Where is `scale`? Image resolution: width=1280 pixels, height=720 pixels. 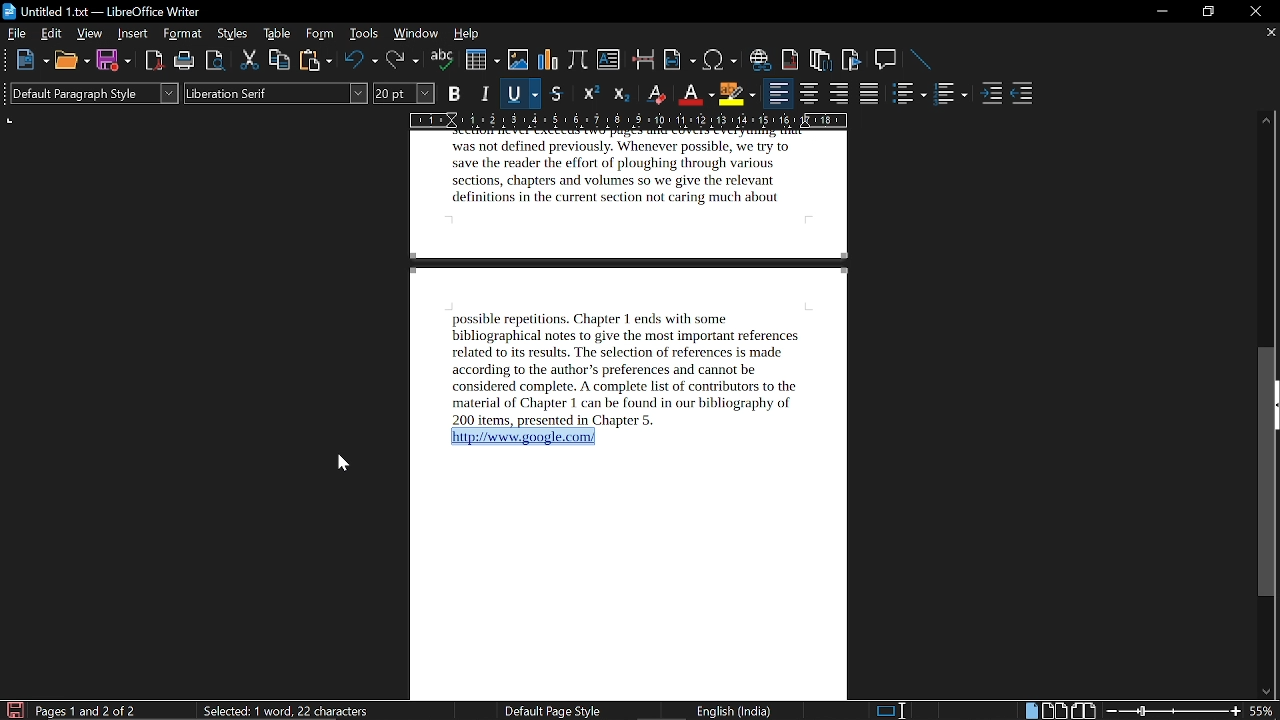 scale is located at coordinates (629, 119).